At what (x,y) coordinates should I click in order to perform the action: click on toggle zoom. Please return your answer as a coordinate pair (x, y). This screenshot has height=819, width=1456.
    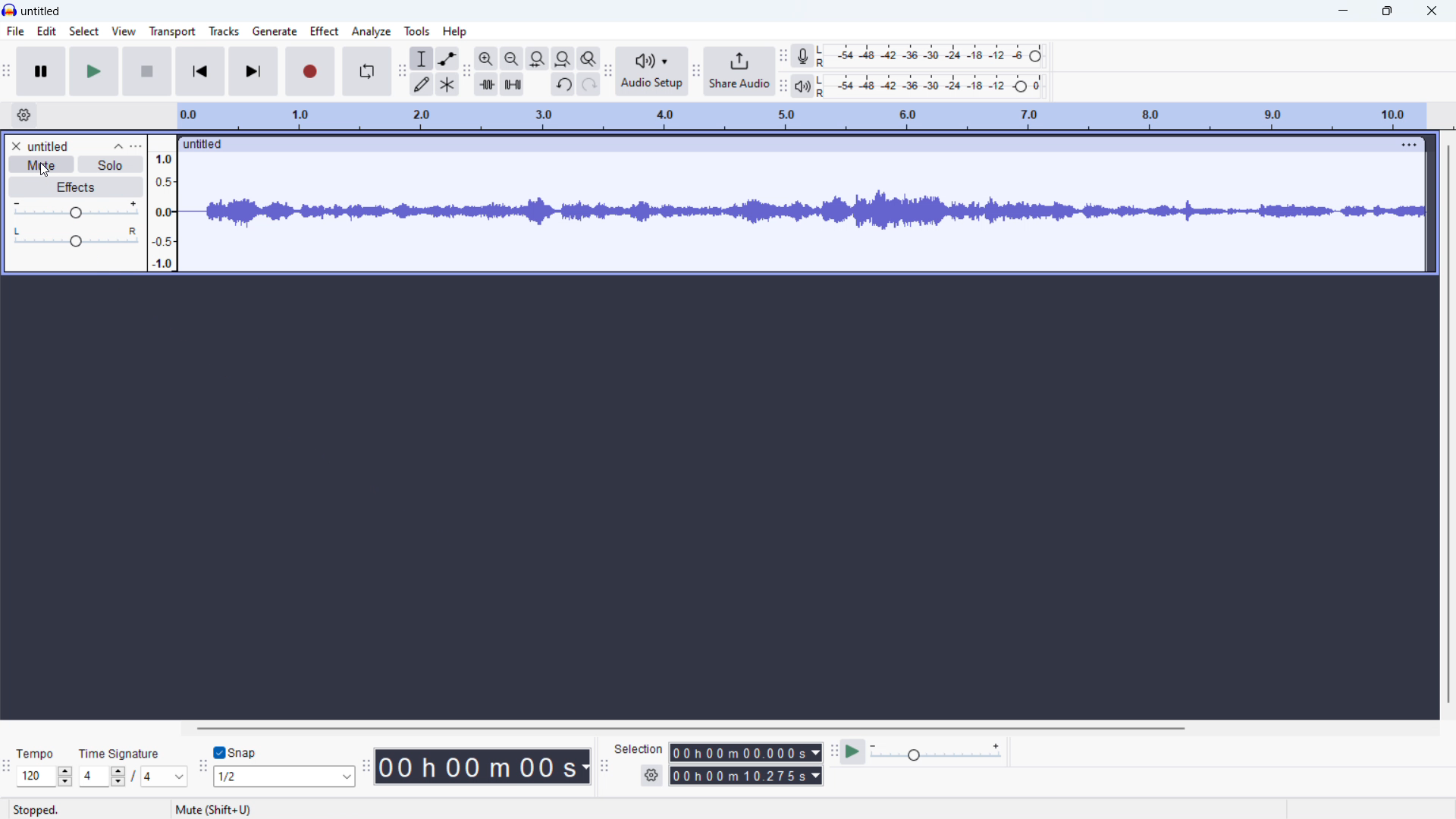
    Looking at the image, I should click on (588, 59).